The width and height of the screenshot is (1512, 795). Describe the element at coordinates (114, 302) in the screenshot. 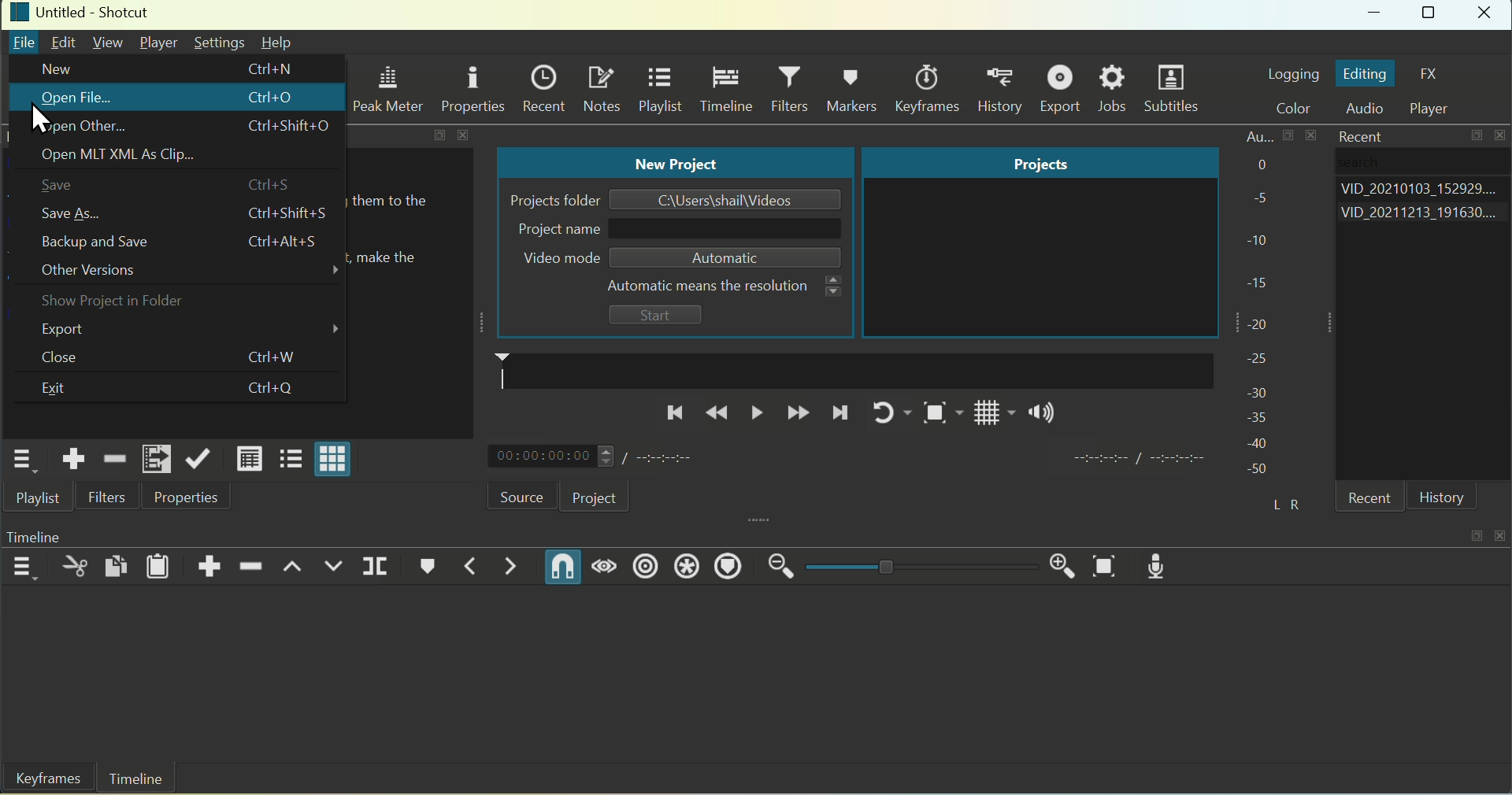

I see `Show Project in Folder` at that location.